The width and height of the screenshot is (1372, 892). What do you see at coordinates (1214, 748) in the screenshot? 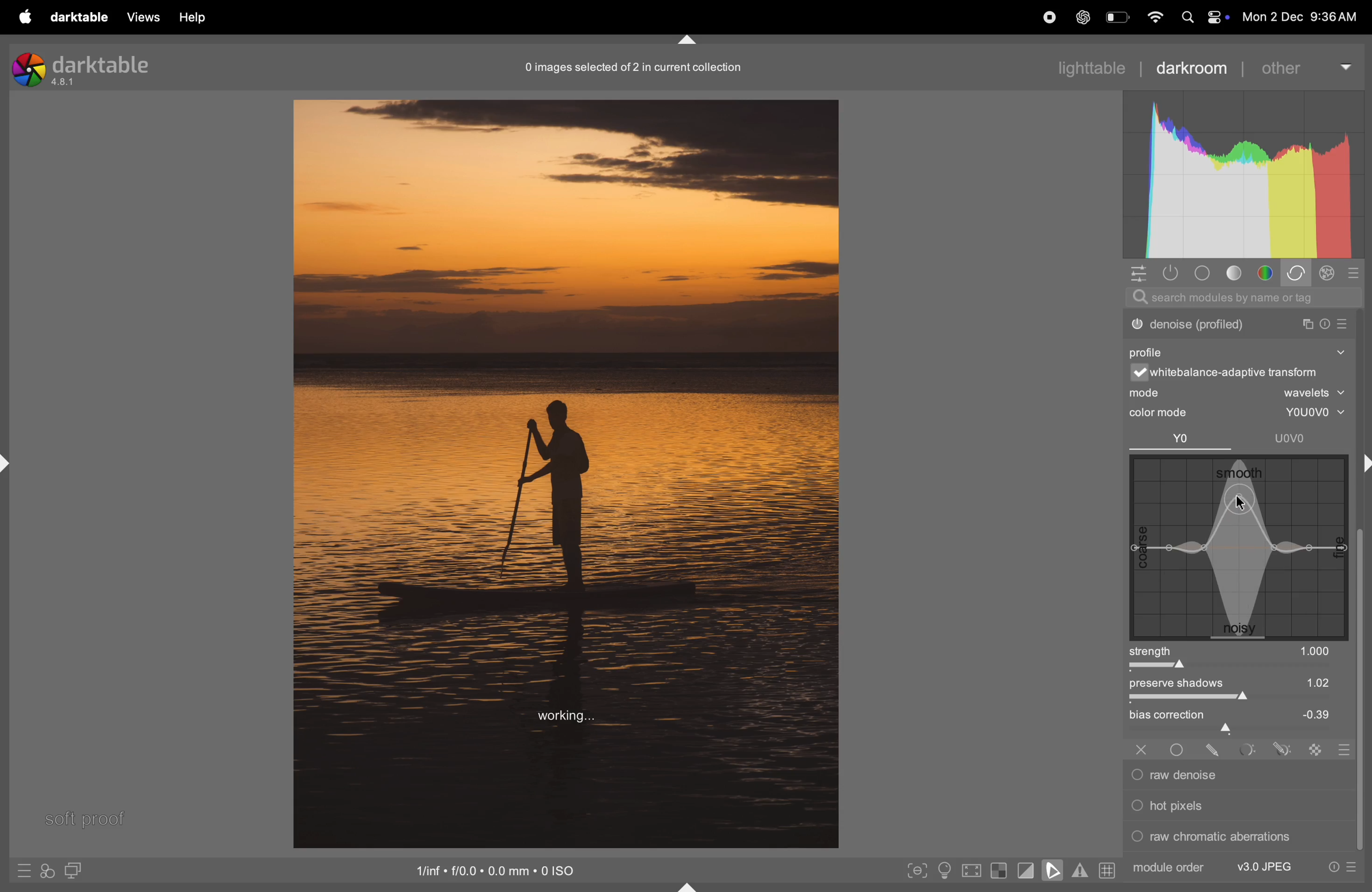
I see `` at bounding box center [1214, 748].